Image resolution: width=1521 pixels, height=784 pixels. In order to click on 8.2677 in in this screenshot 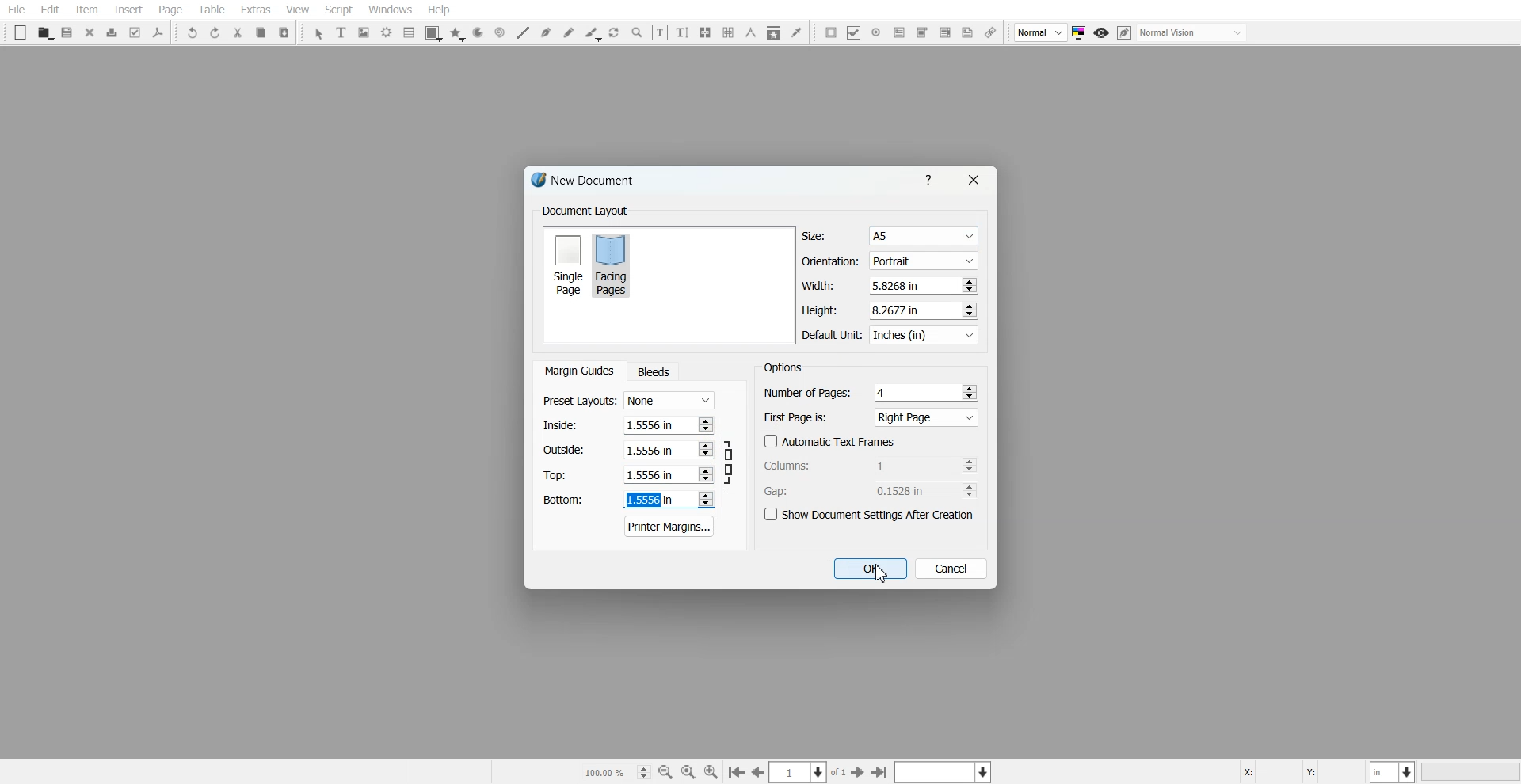, I will do `click(900, 310)`.